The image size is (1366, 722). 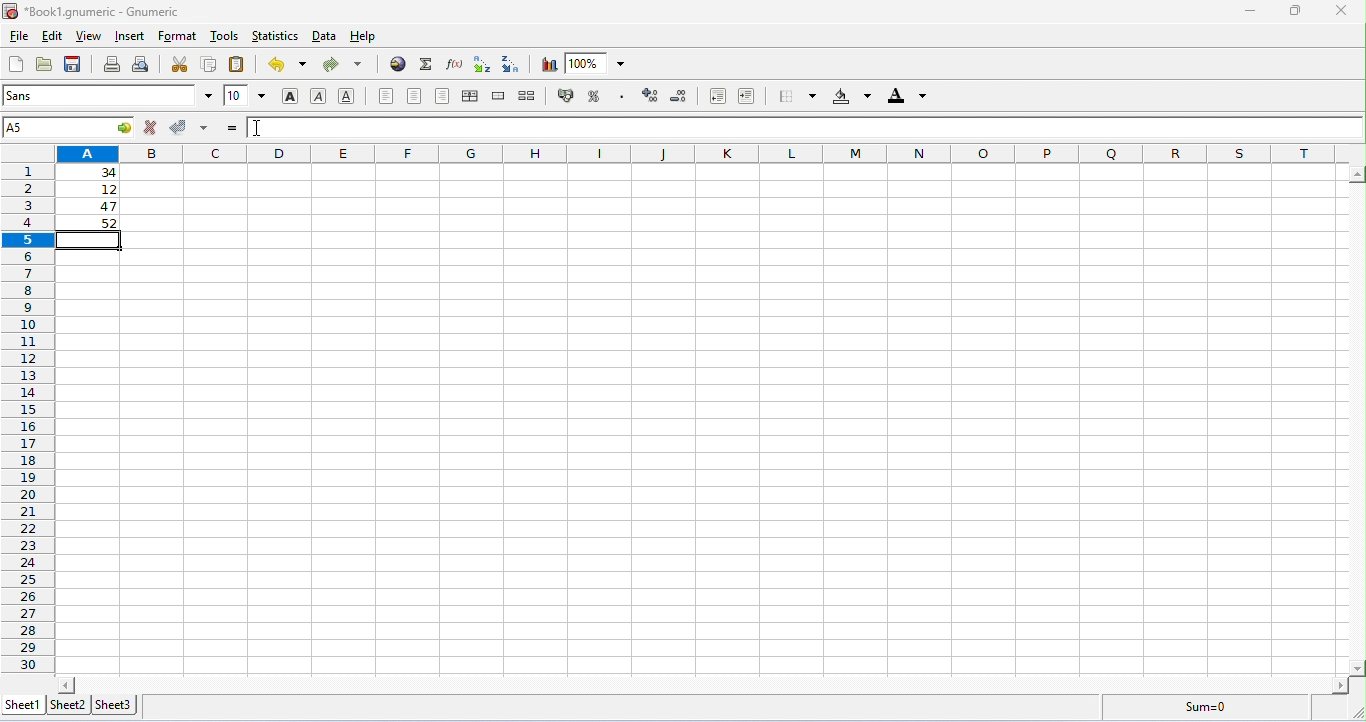 What do you see at coordinates (108, 95) in the screenshot?
I see `font style` at bounding box center [108, 95].